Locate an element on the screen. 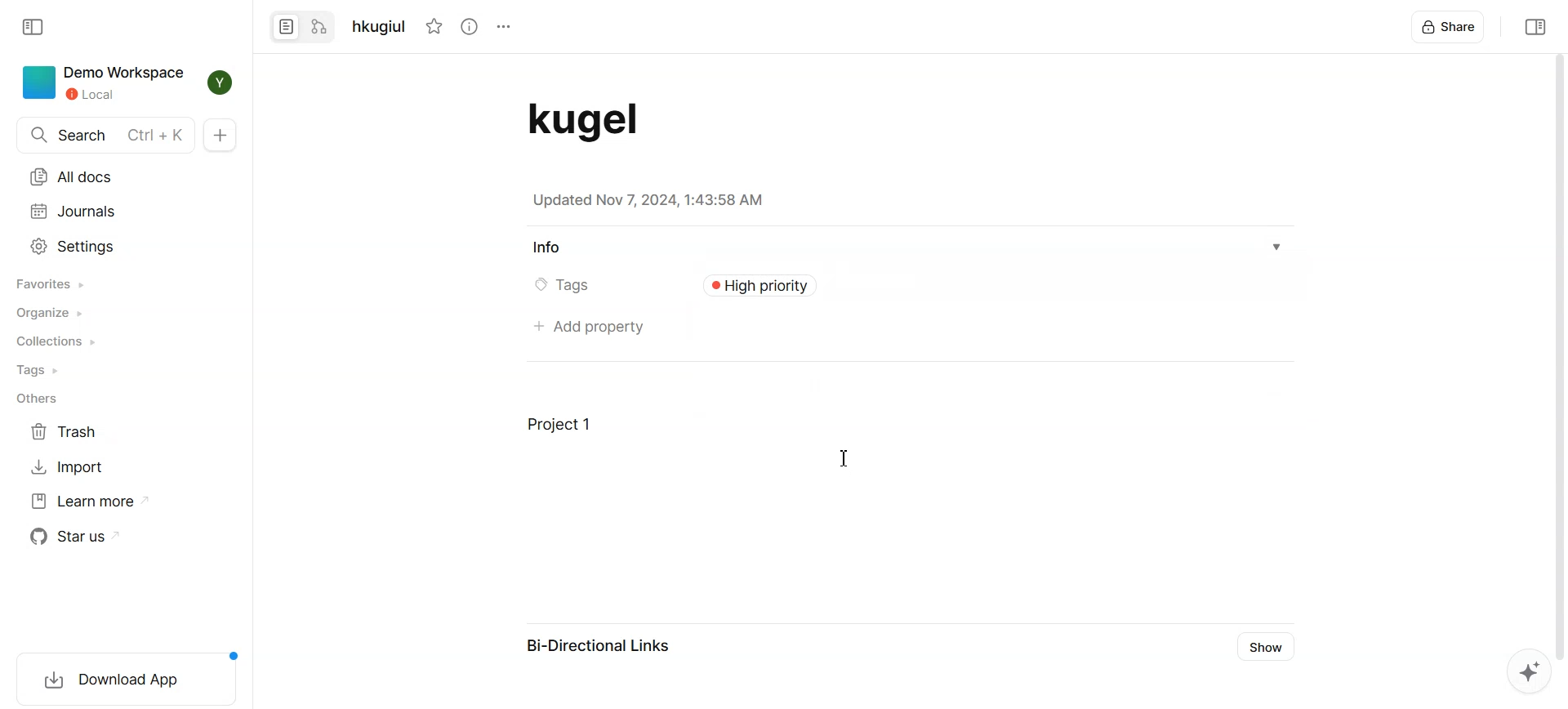 This screenshot has height=709, width=1568. Updated Nov 7, 2024, 1:43:58 AM is located at coordinates (651, 201).